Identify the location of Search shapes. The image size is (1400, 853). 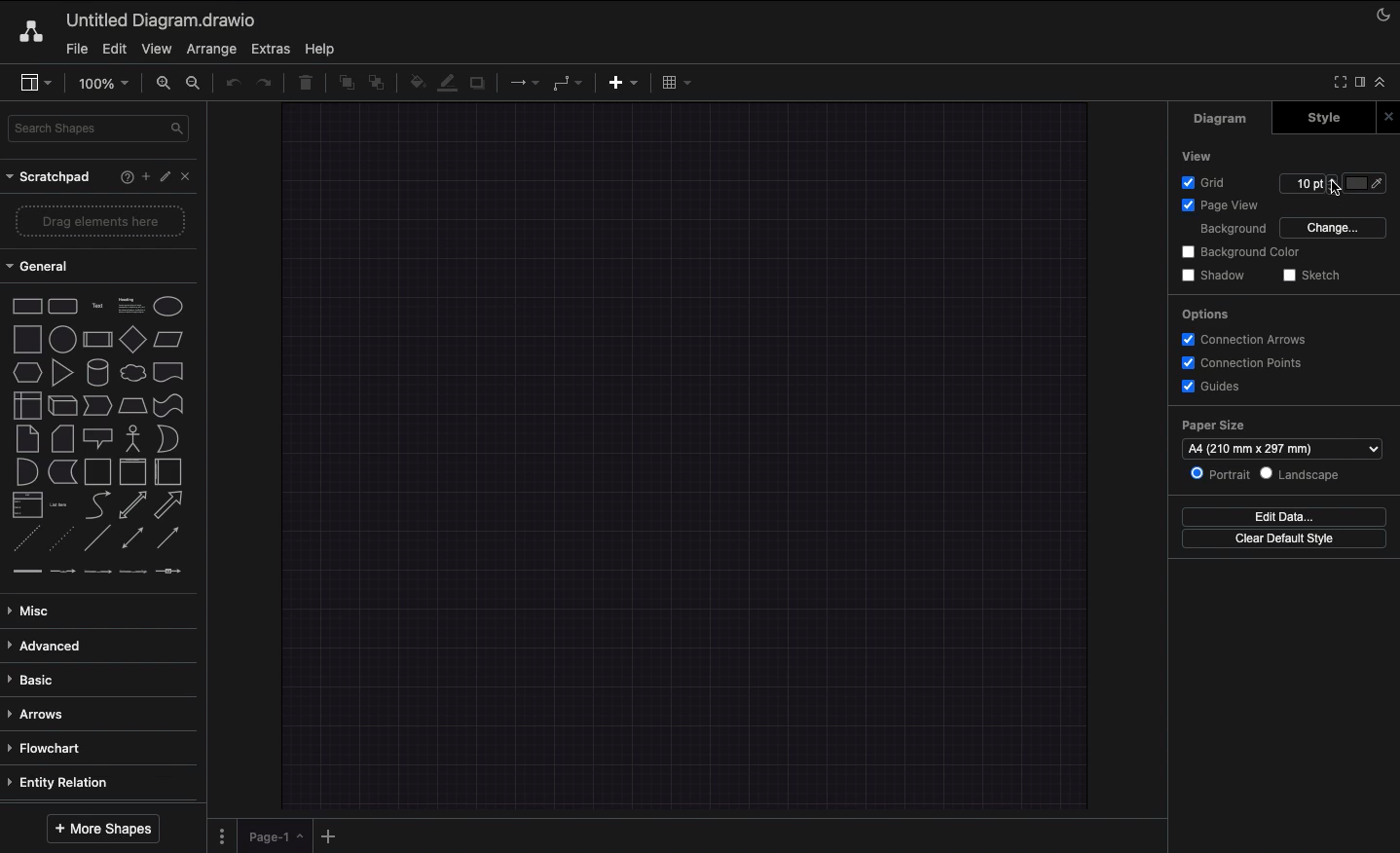
(98, 130).